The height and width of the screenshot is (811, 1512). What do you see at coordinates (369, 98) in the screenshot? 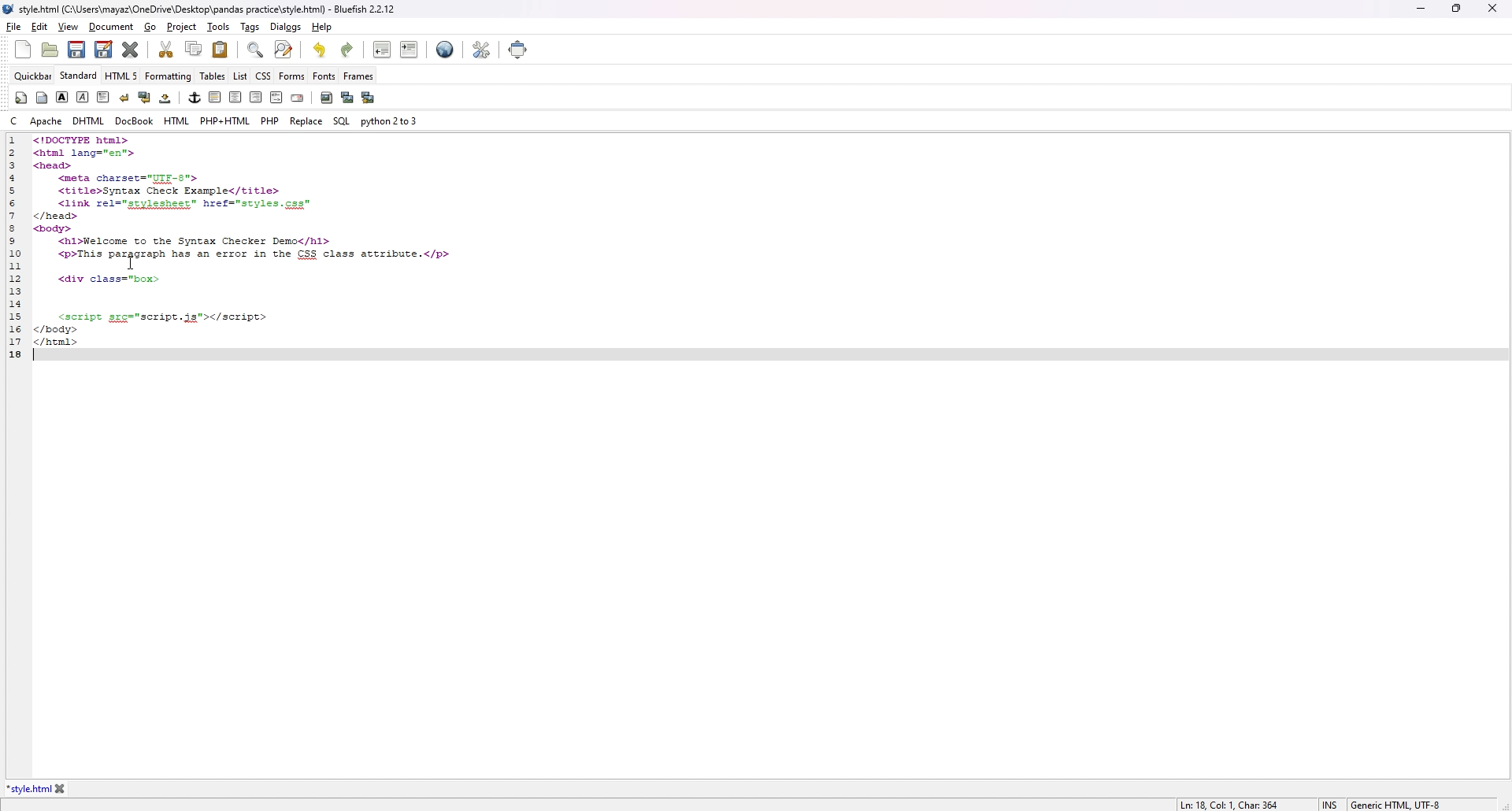
I see `multi thumbnail` at bounding box center [369, 98].